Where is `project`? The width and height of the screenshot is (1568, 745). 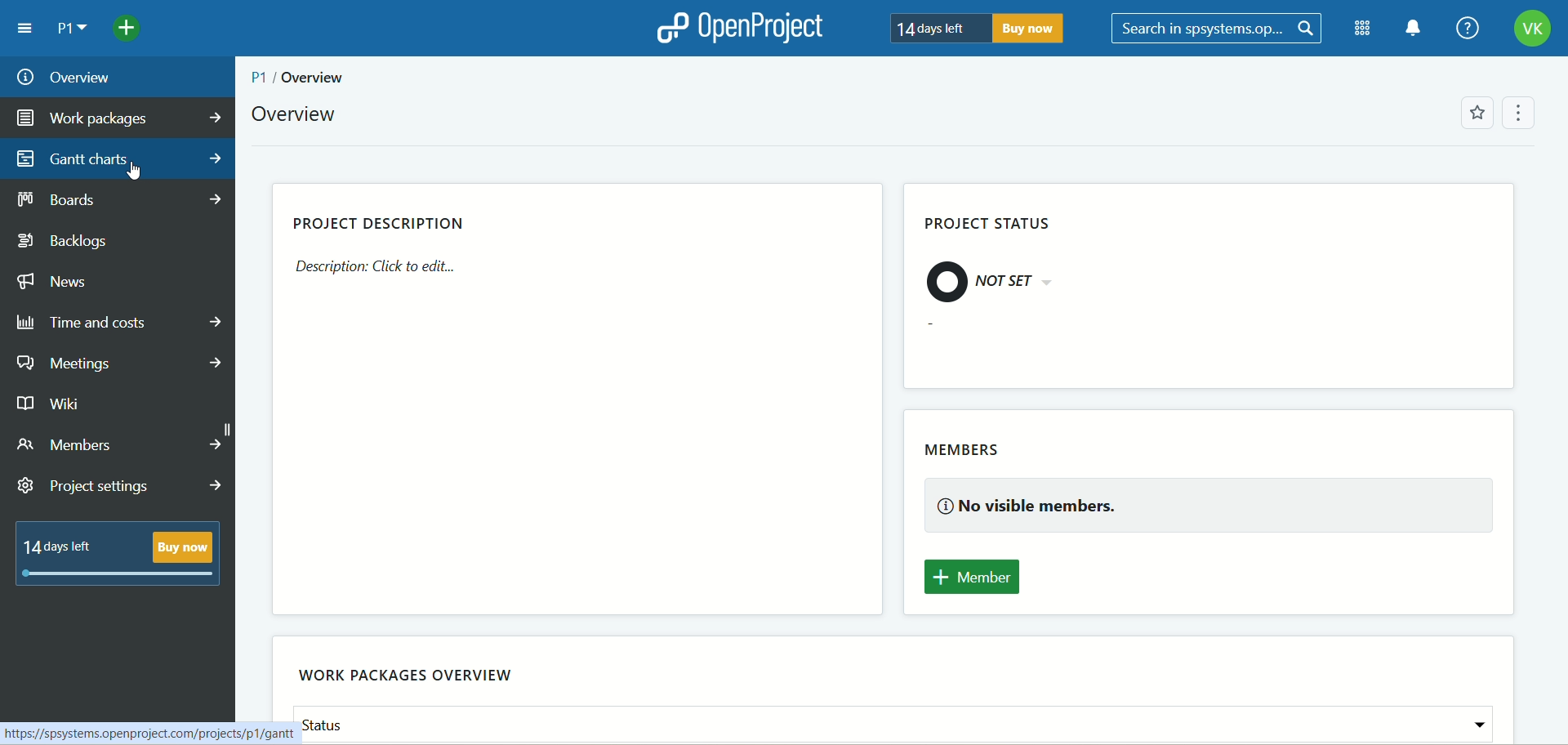
project is located at coordinates (73, 29).